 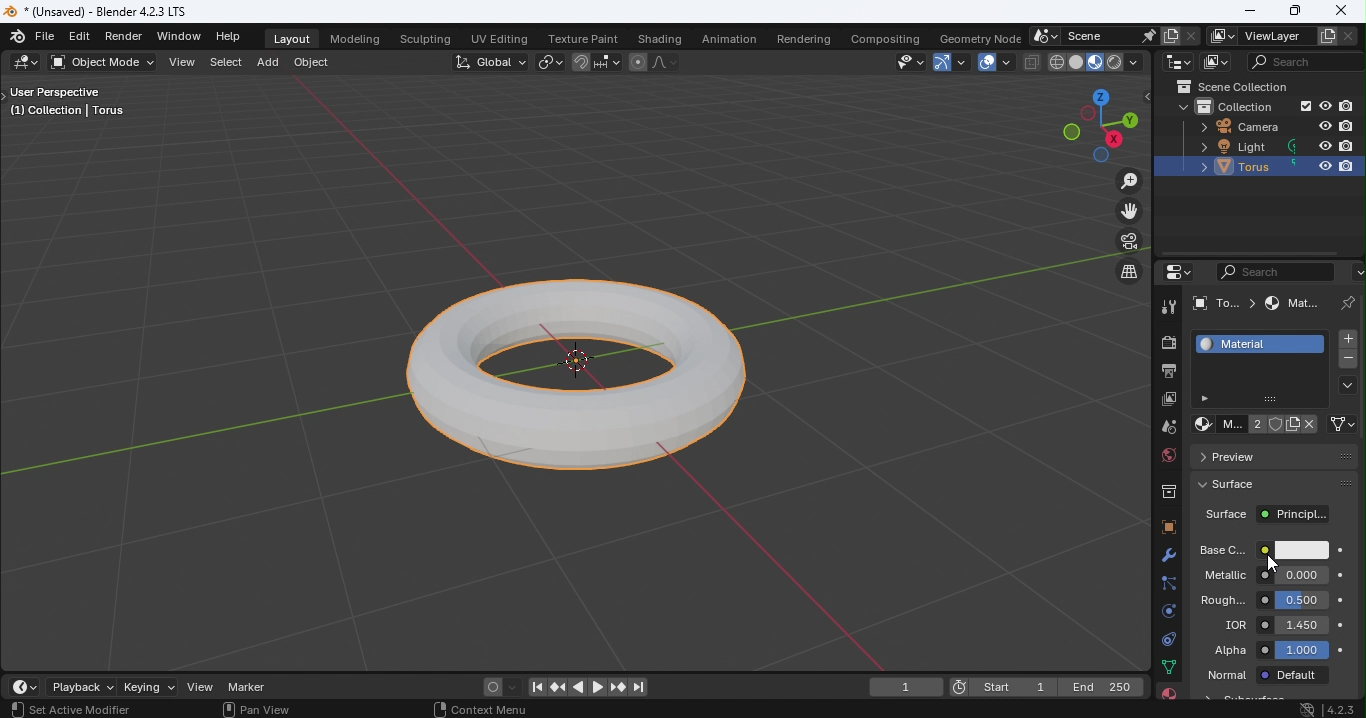 I want to click on Help, so click(x=233, y=37).